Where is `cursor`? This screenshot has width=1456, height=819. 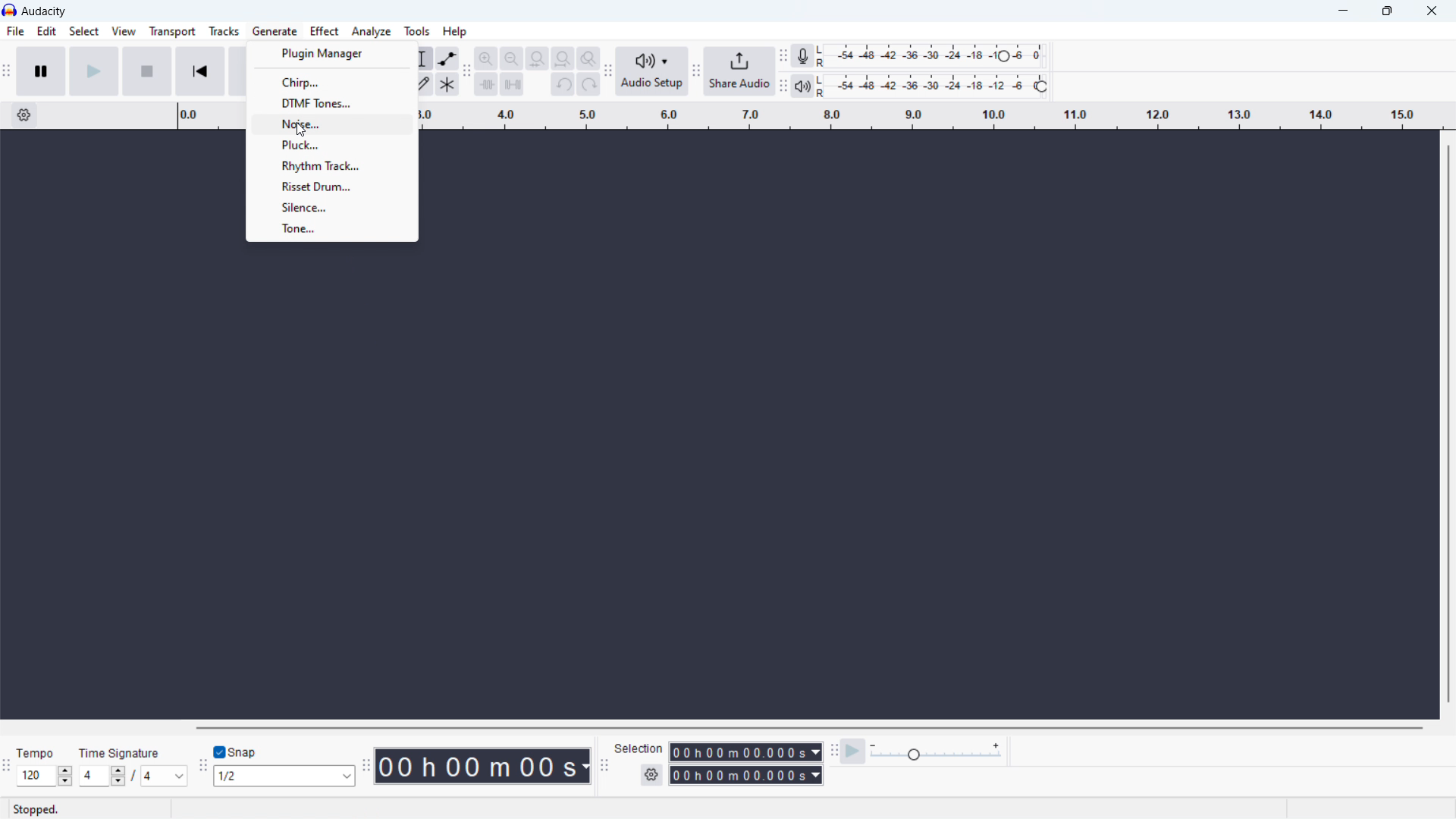
cursor is located at coordinates (303, 130).